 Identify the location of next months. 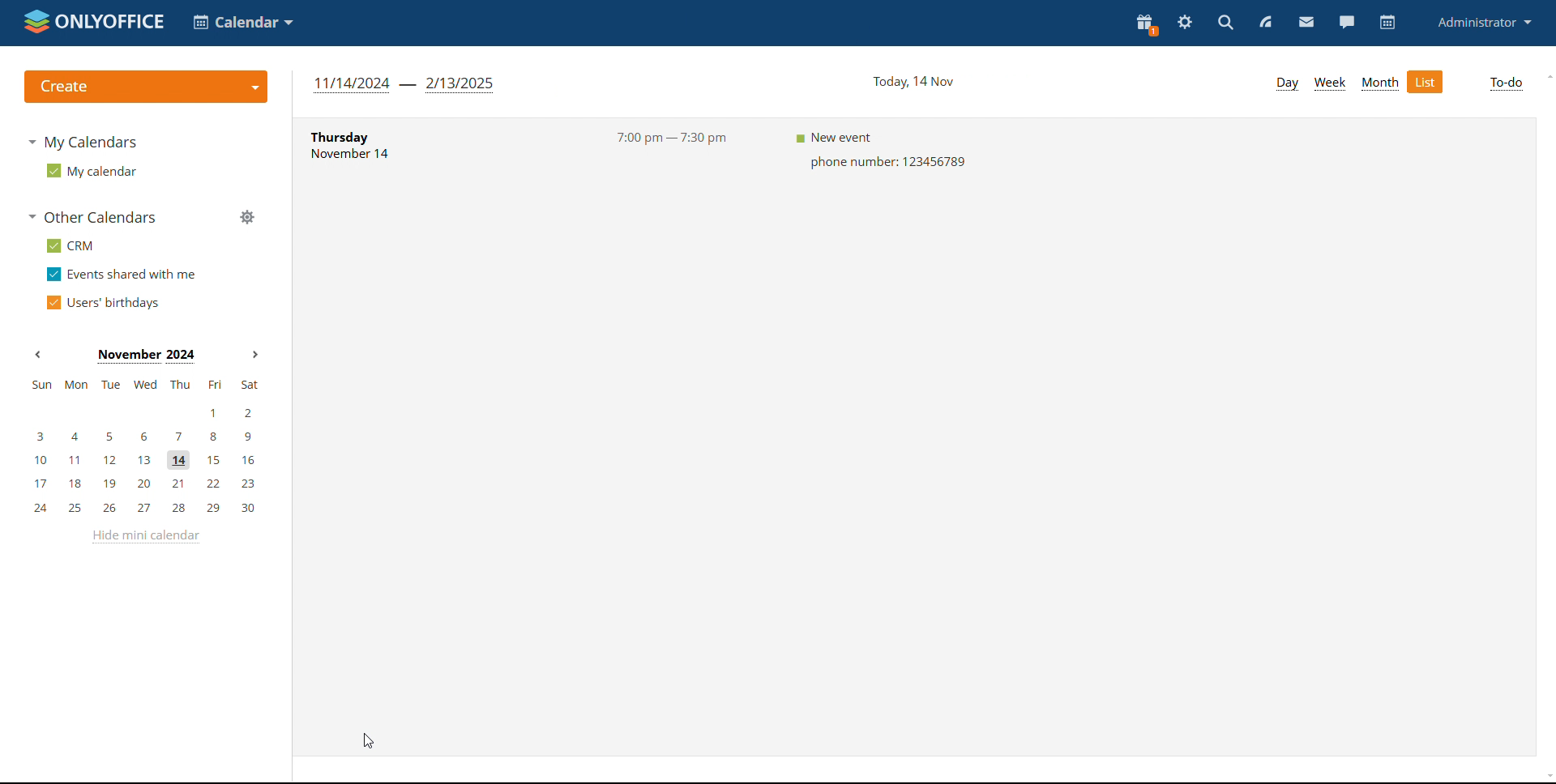
(253, 355).